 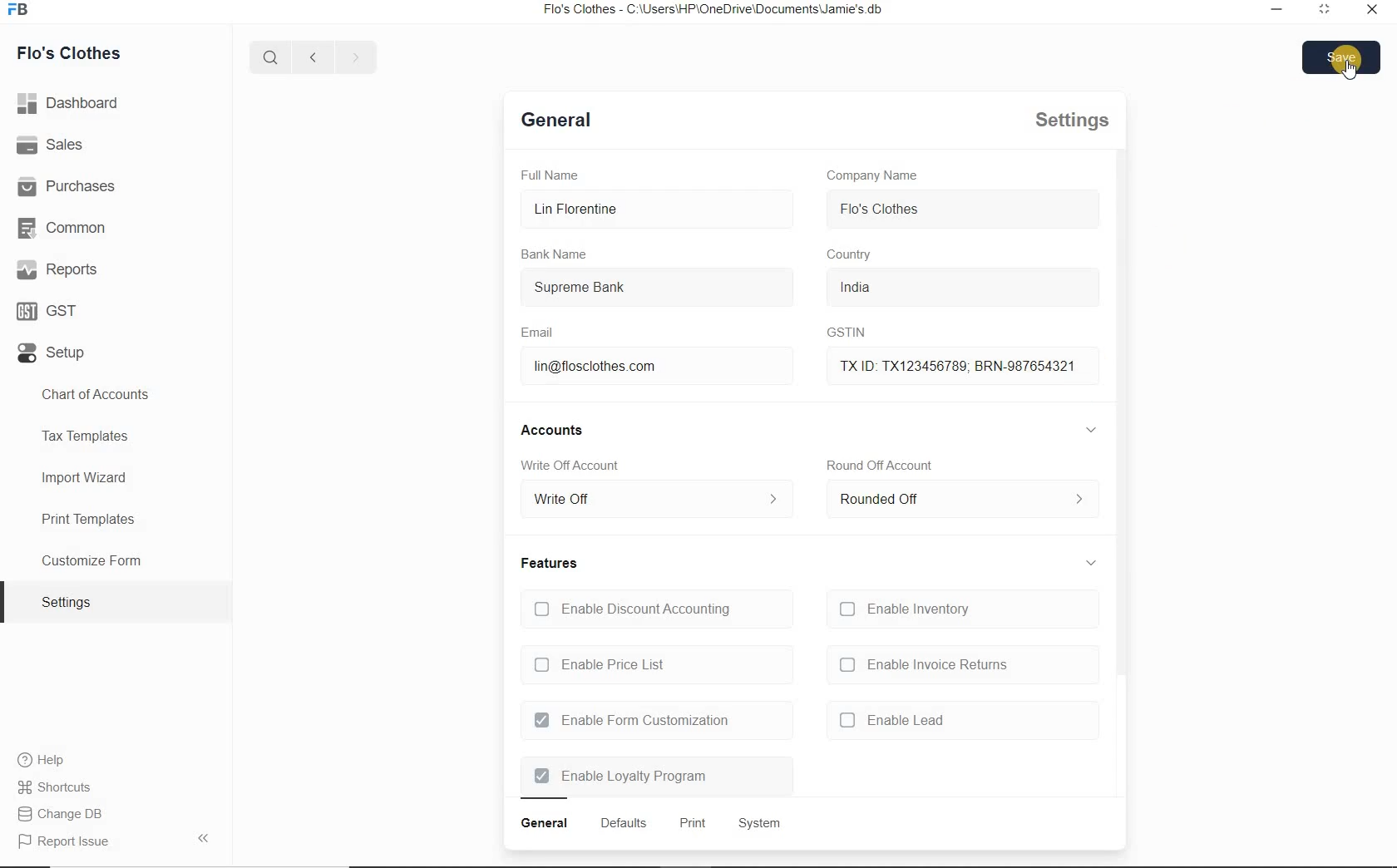 I want to click on lin@flosclothes.com, so click(x=617, y=367).